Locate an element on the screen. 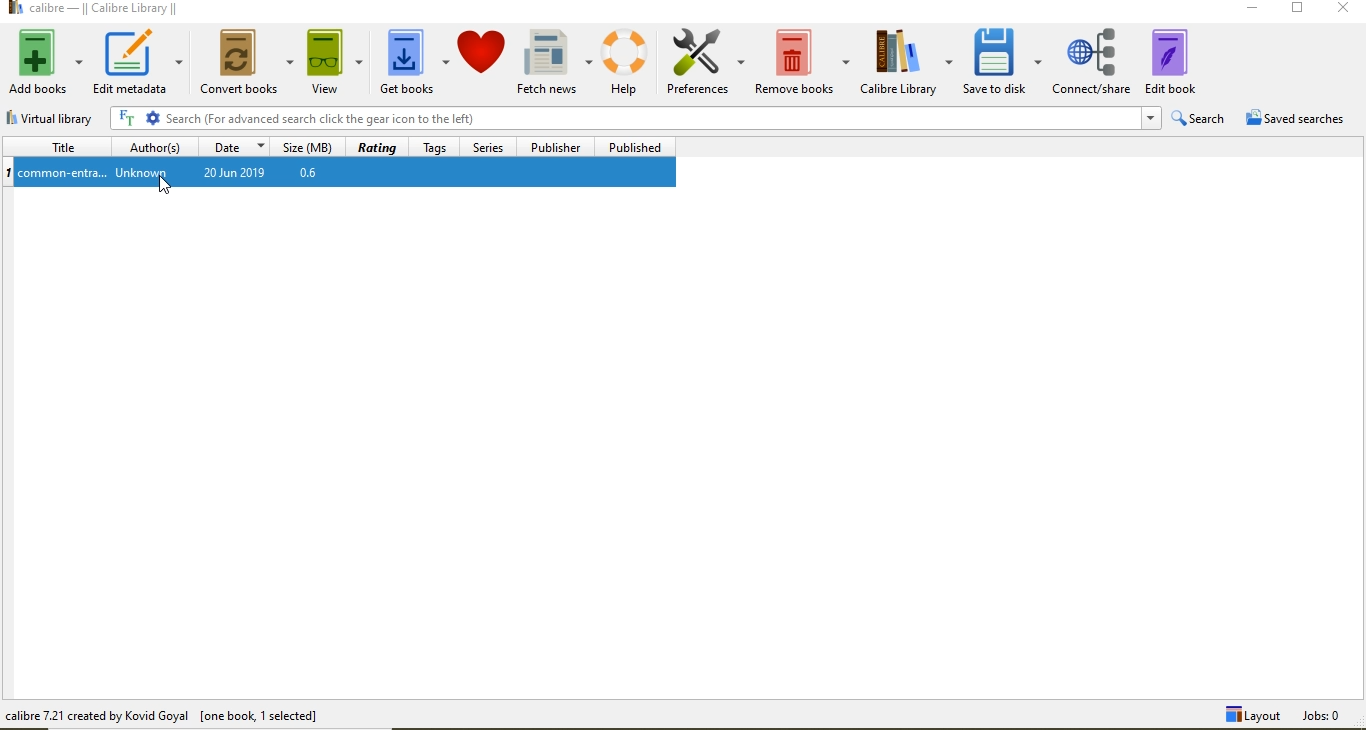 The width and height of the screenshot is (1366, 730). virtual library is located at coordinates (58, 119).